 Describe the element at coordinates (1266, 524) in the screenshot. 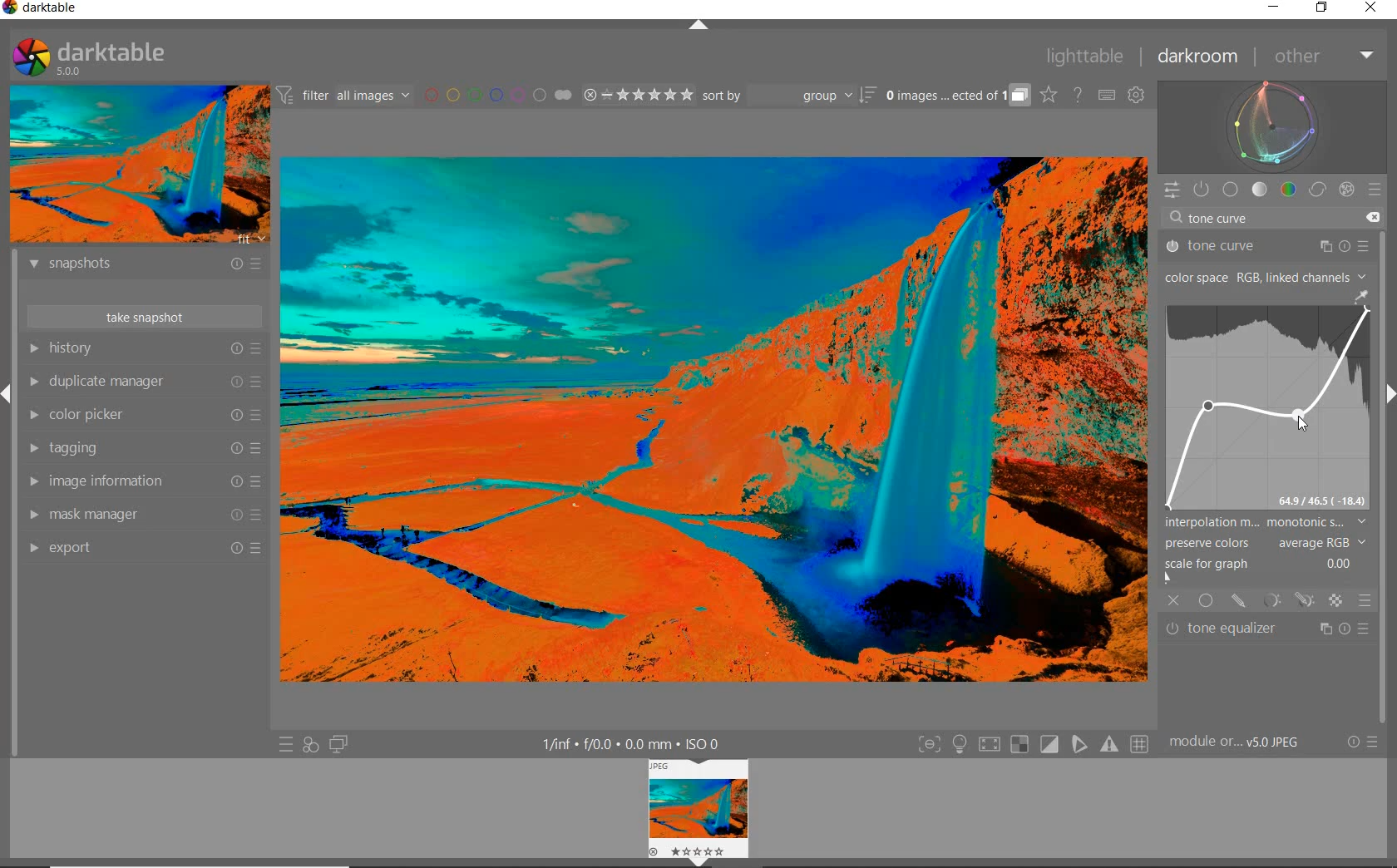

I see `INTERPOLATION` at that location.